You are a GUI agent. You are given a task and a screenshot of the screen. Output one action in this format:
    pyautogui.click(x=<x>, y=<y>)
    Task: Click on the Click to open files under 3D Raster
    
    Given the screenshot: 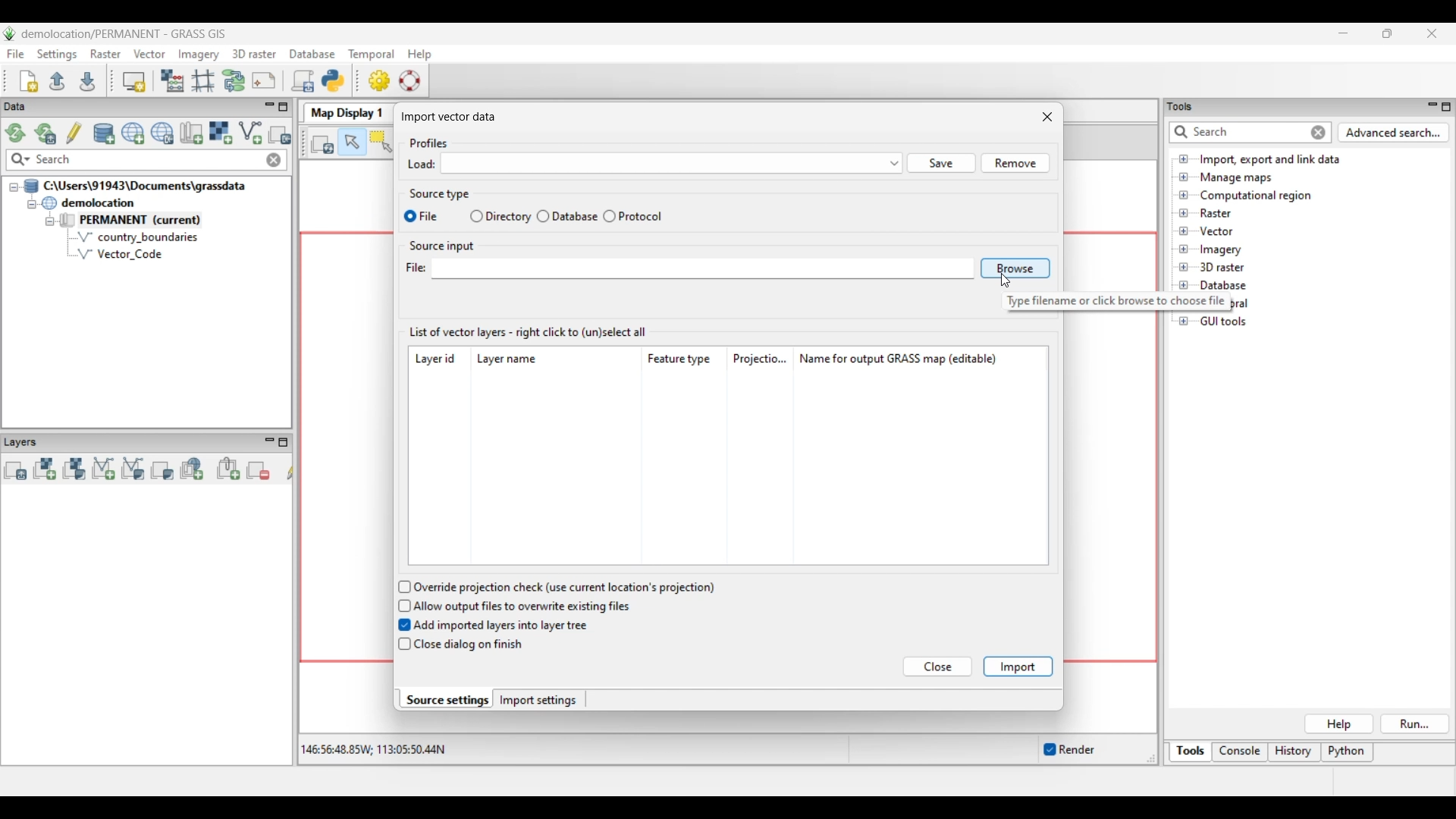 What is the action you would take?
    pyautogui.click(x=1184, y=267)
    